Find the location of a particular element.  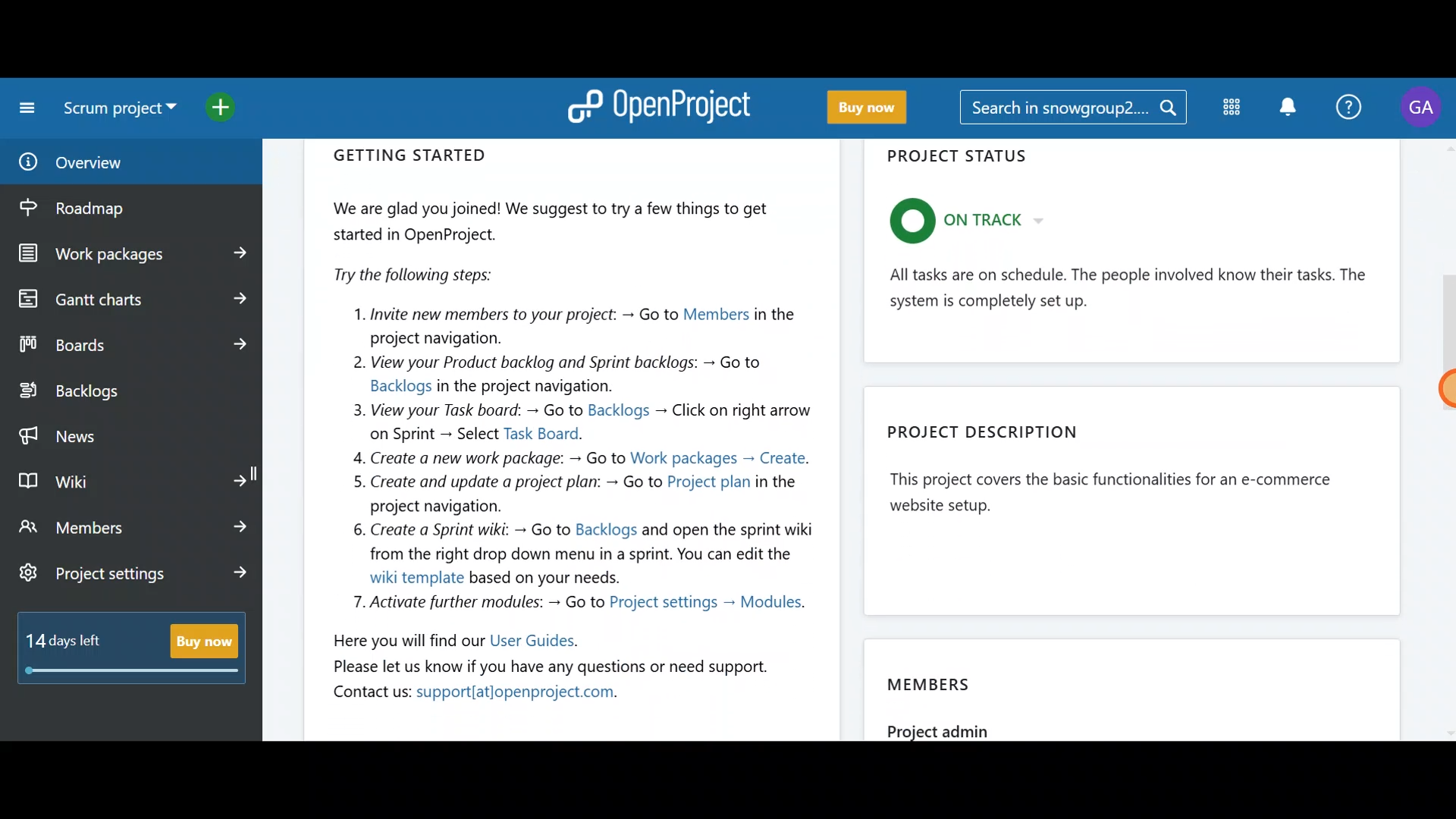

Members is located at coordinates (1137, 685).